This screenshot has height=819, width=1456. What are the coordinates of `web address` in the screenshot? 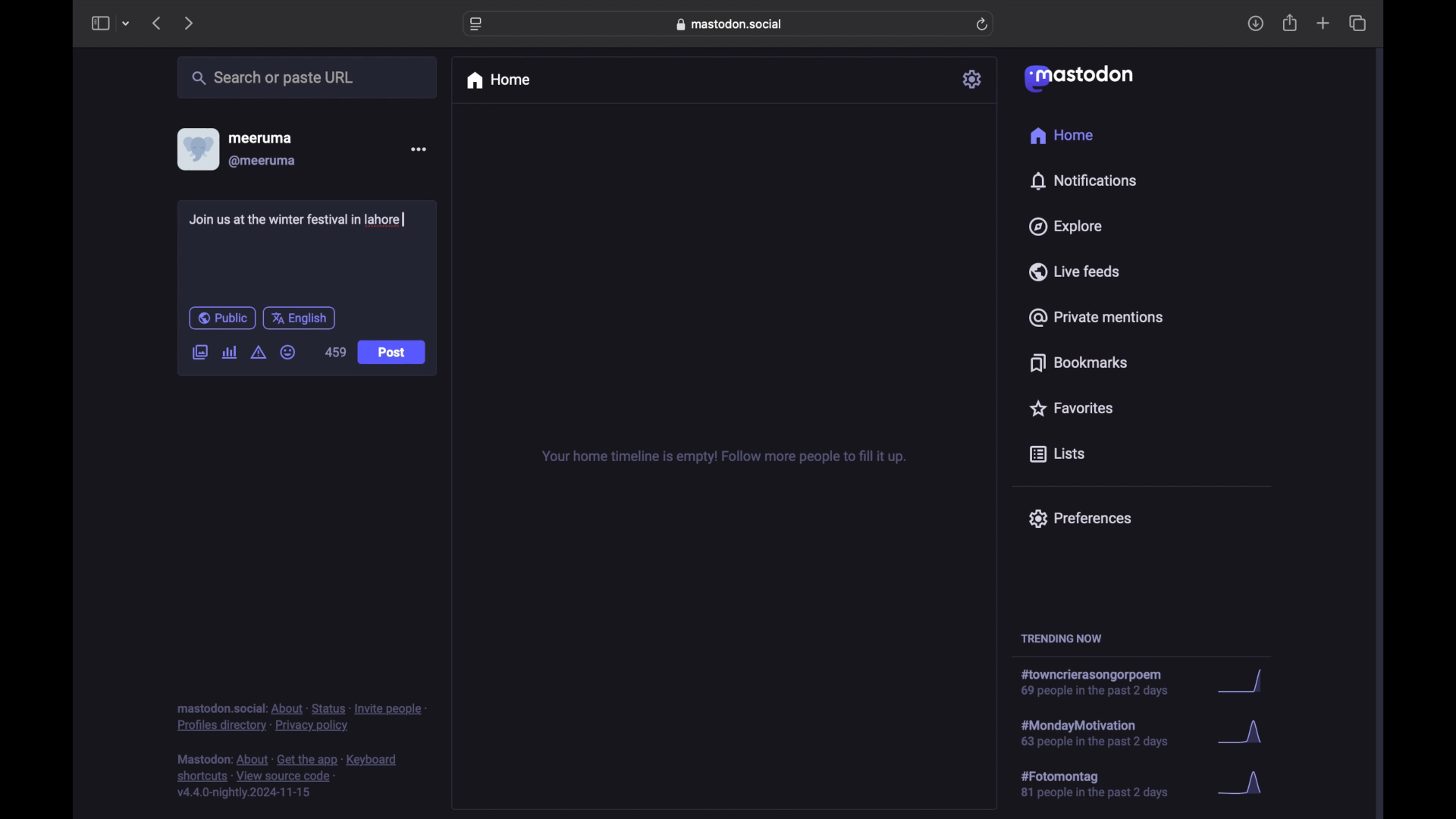 It's located at (733, 24).